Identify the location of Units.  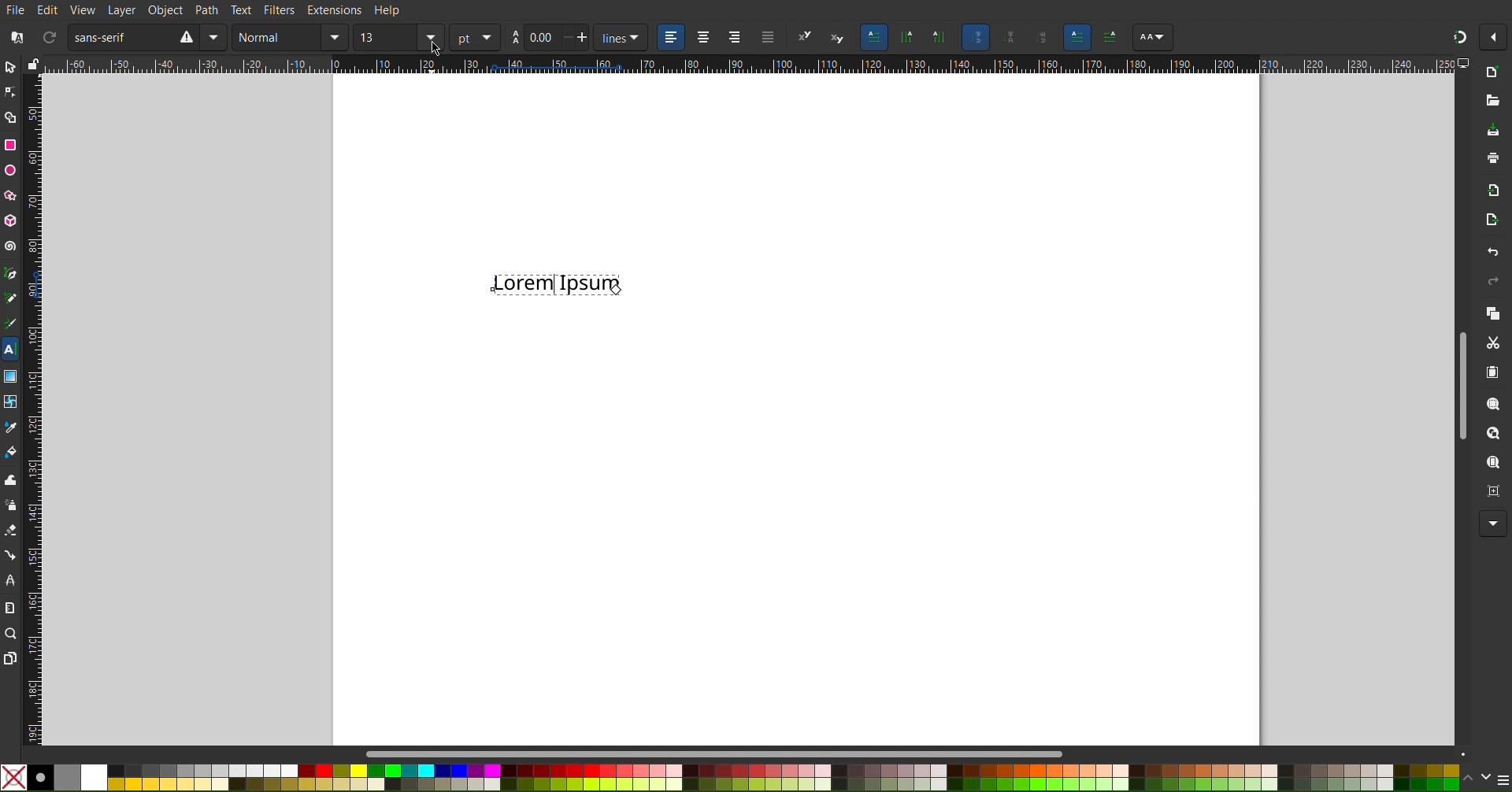
(873, 37).